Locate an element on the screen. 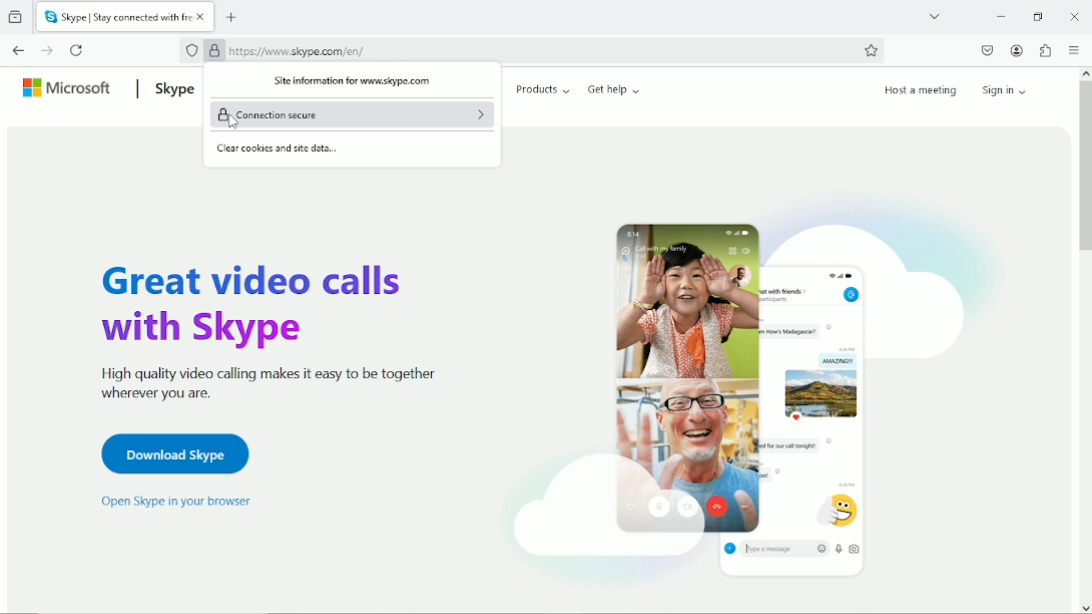  Great video calls with Skype high quality video calling makes it easy to be together wherever you are is located at coordinates (261, 329).